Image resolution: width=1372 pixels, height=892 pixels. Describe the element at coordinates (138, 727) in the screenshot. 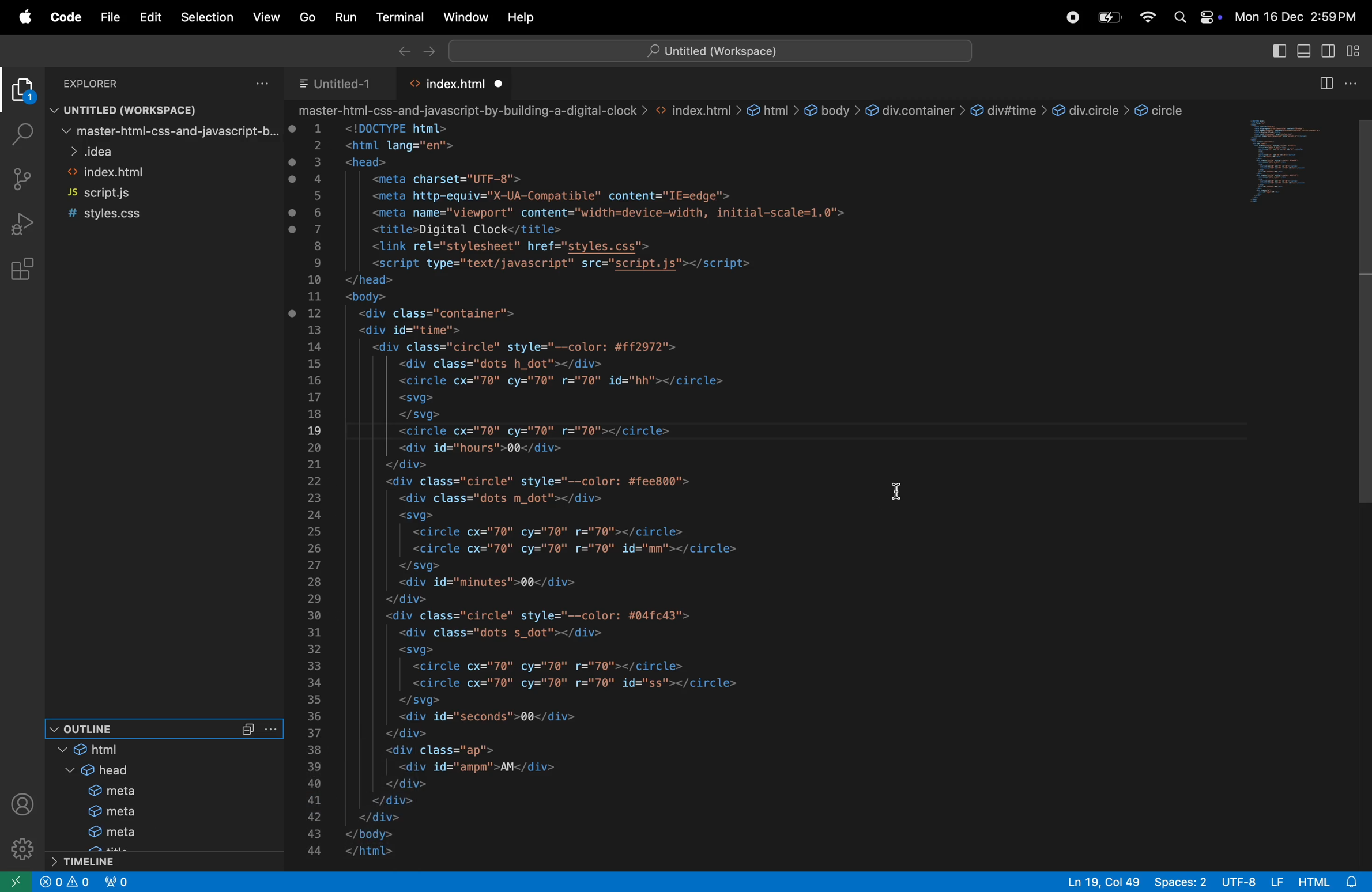

I see `out line` at that location.